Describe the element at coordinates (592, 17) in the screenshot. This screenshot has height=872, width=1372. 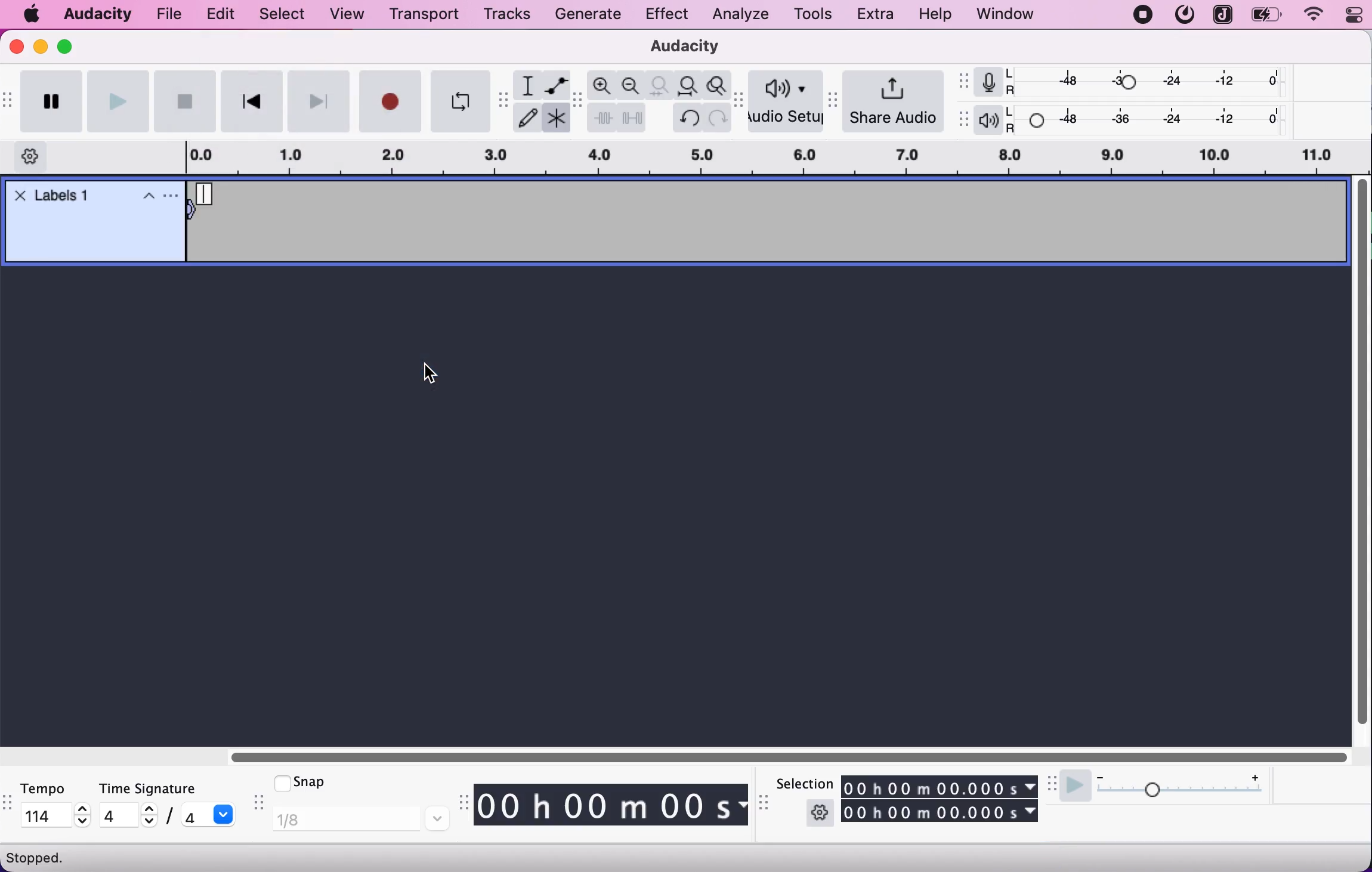
I see `generate` at that location.